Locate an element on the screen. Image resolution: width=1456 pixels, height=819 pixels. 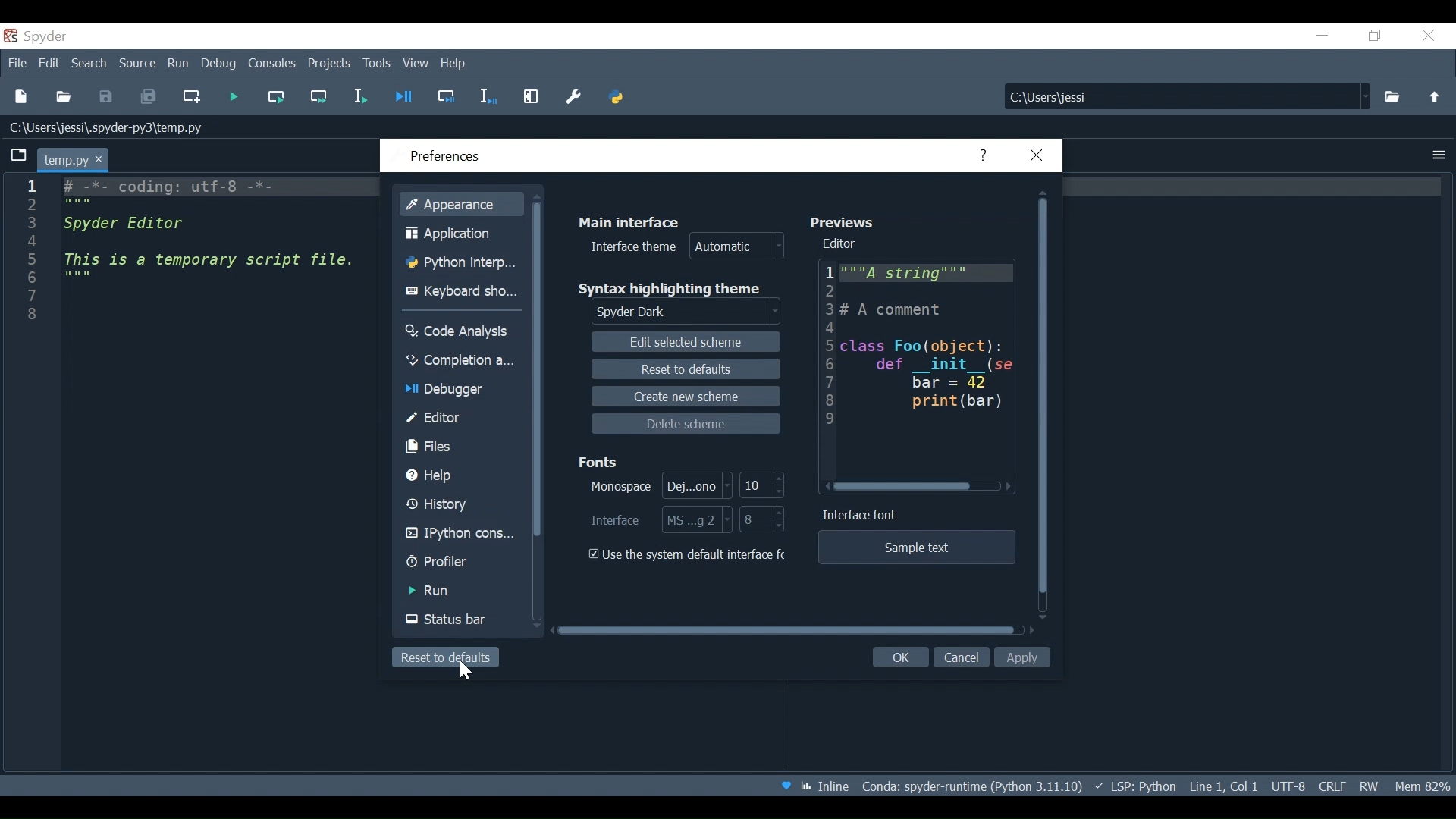
IPython console is located at coordinates (461, 535).